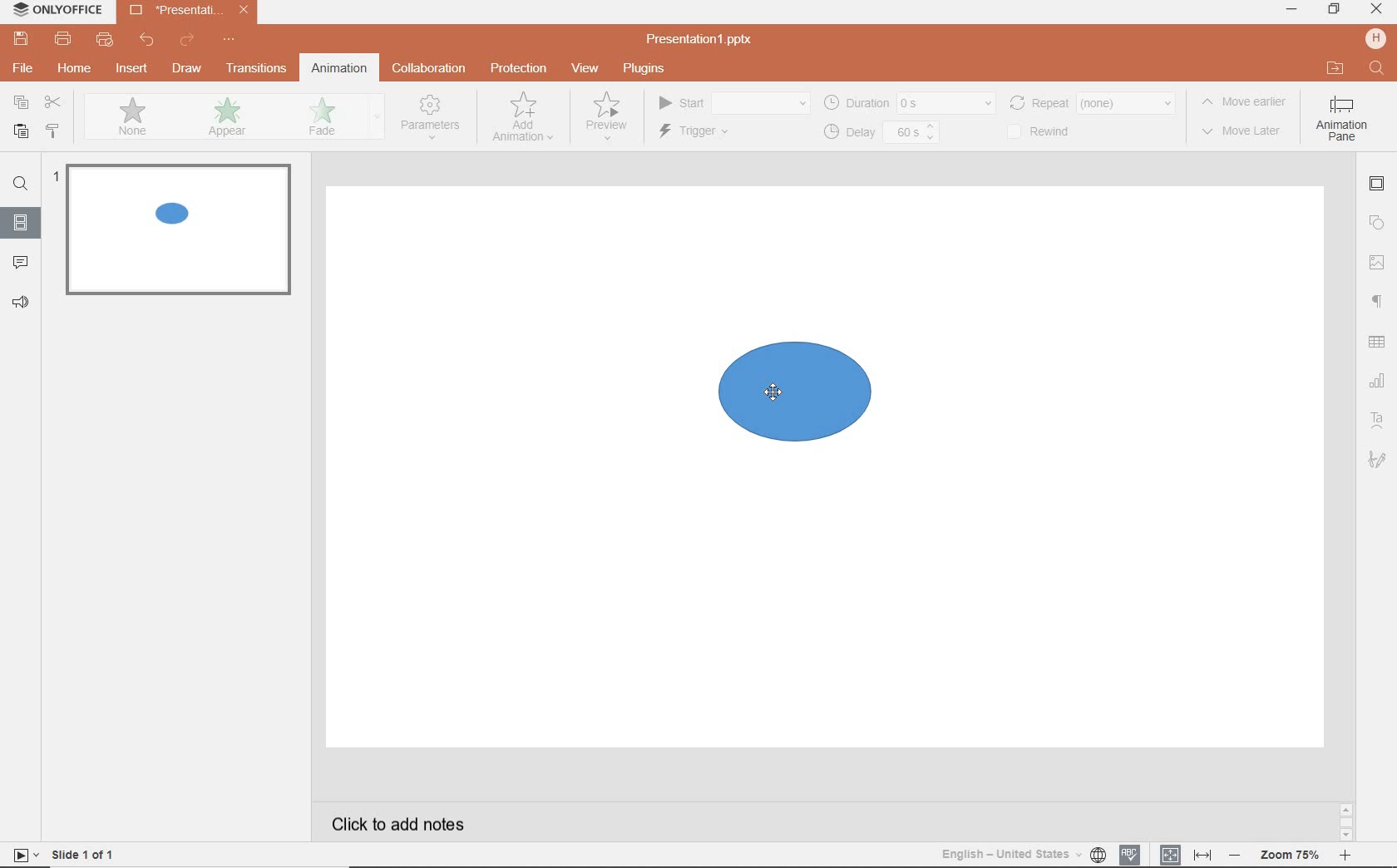 The width and height of the screenshot is (1397, 868). What do you see at coordinates (807, 412) in the screenshot?
I see `shape` at bounding box center [807, 412].